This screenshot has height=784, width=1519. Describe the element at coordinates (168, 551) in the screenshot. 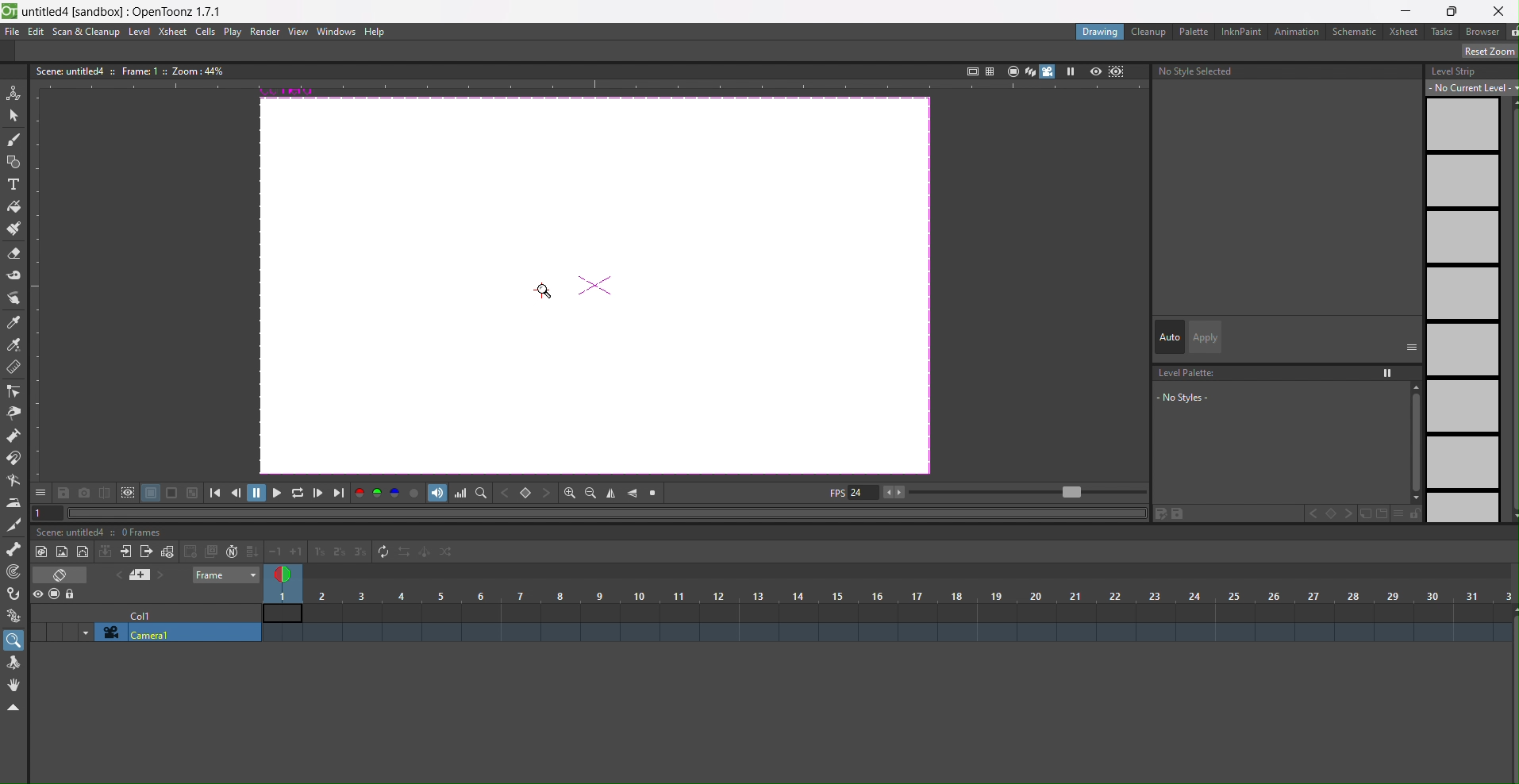

I see `new frame` at that location.